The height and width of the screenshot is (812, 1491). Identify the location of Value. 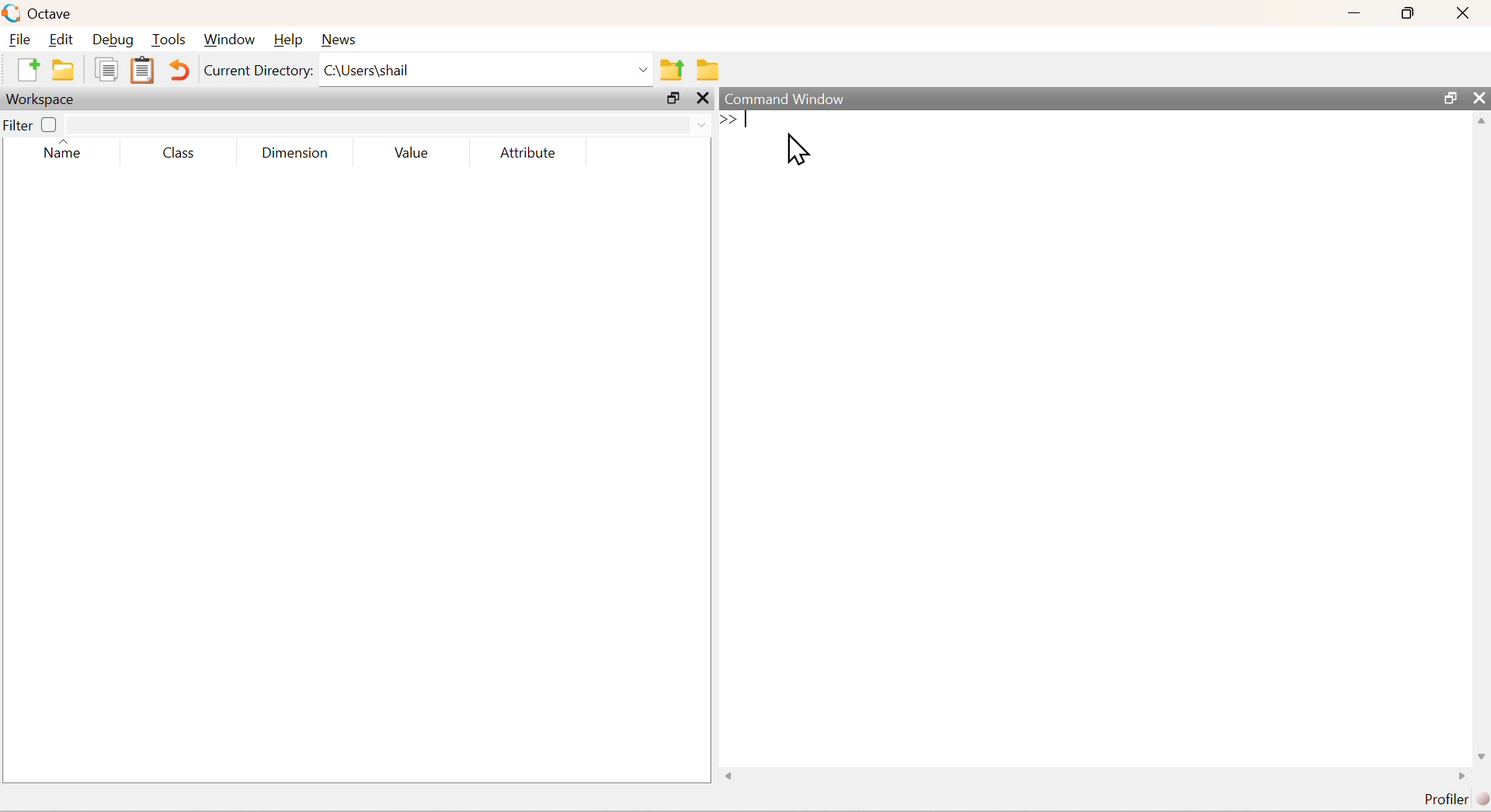
(414, 151).